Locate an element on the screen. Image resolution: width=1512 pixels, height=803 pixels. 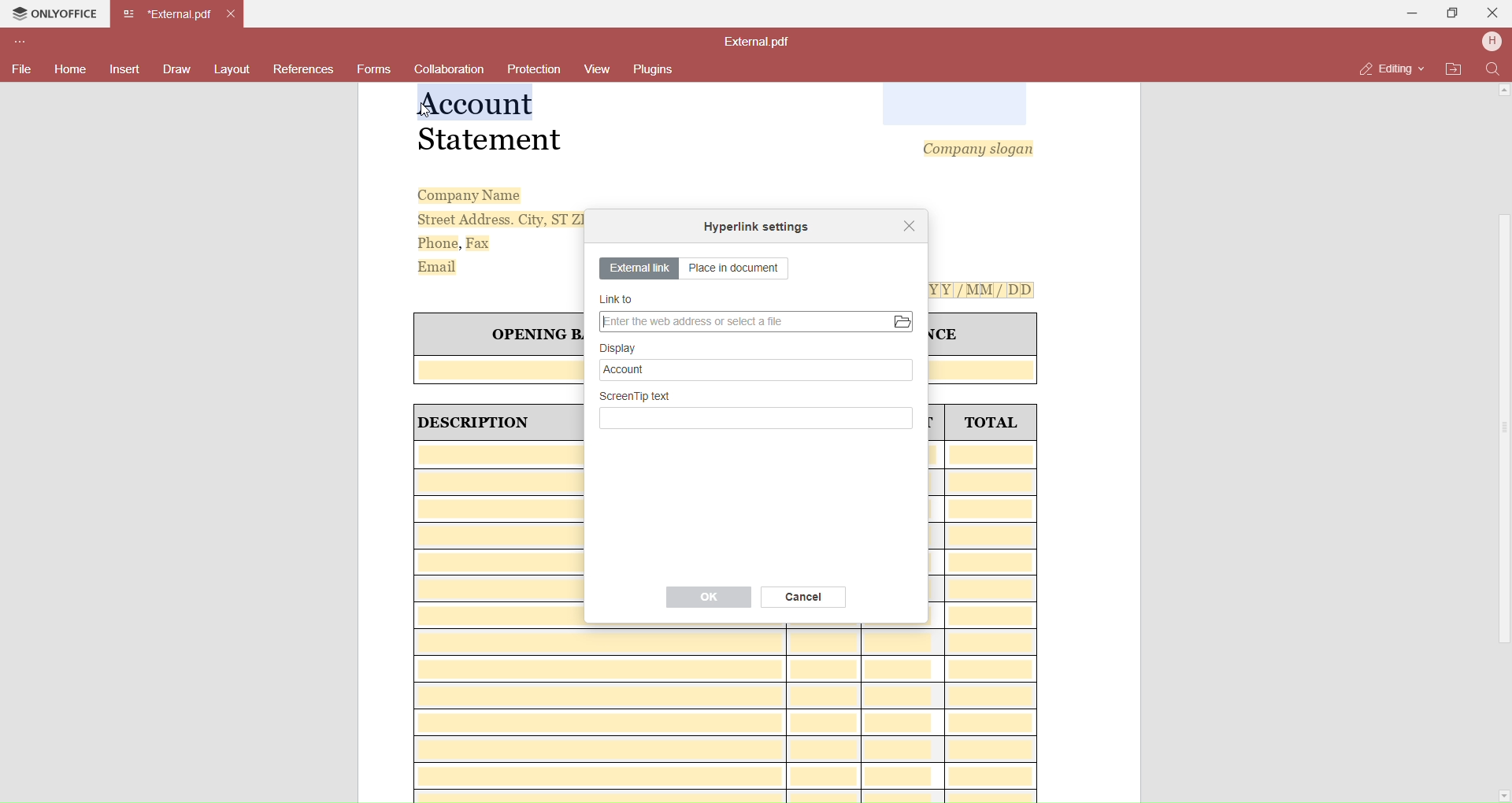
Current open tab is located at coordinates (169, 14).